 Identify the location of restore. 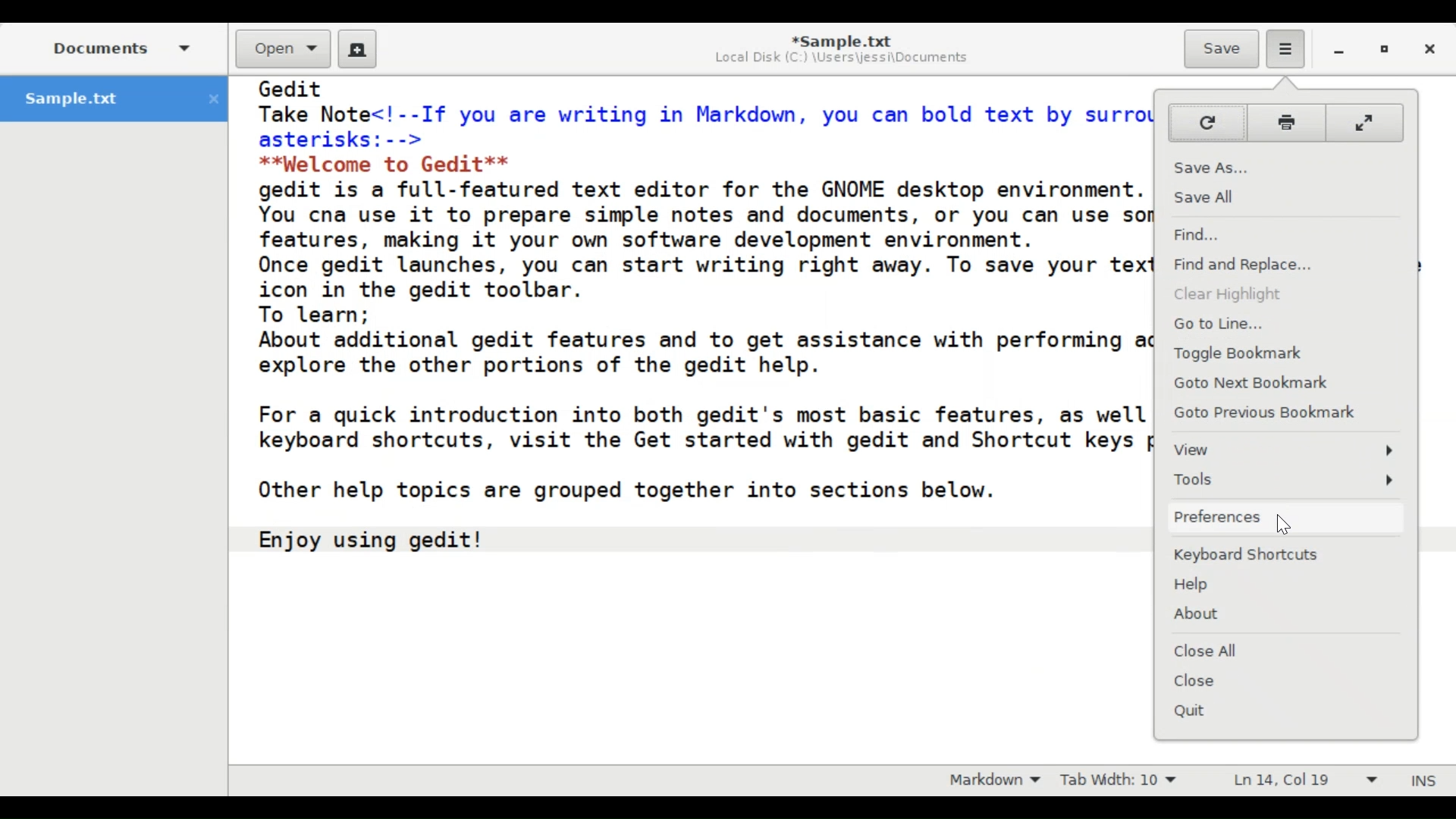
(1382, 50).